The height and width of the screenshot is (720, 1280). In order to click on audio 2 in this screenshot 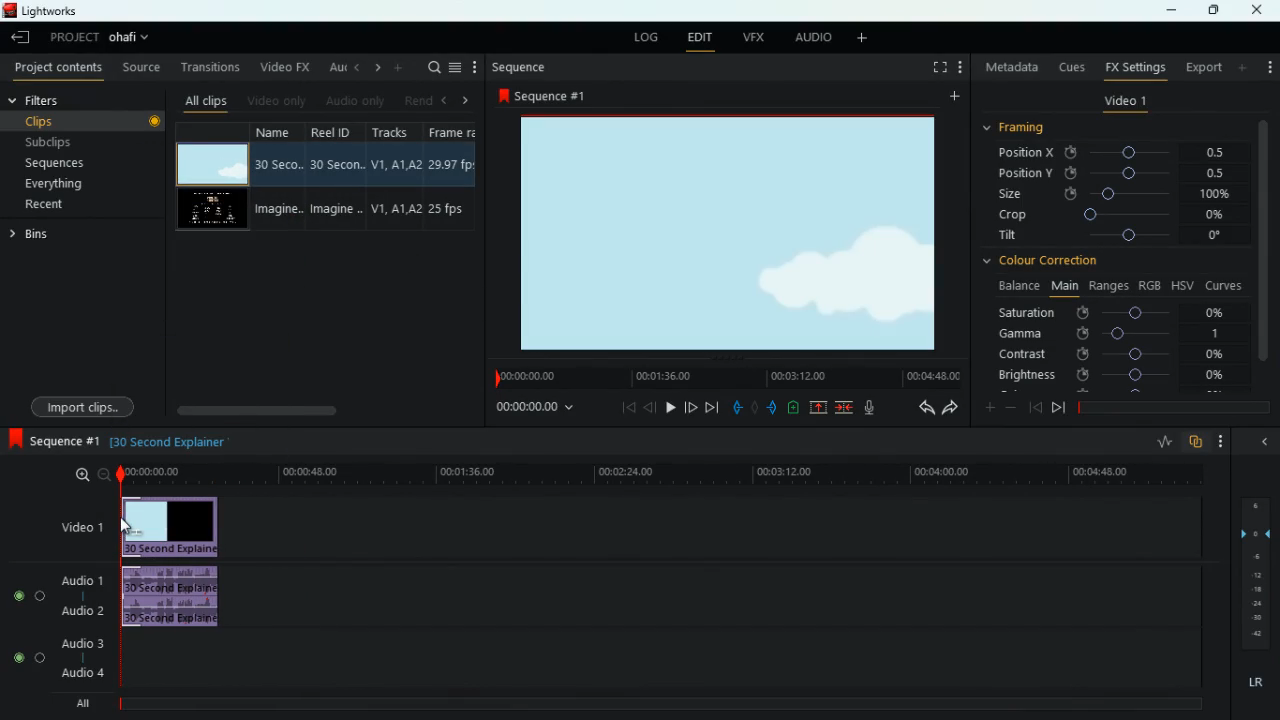, I will do `click(78, 611)`.